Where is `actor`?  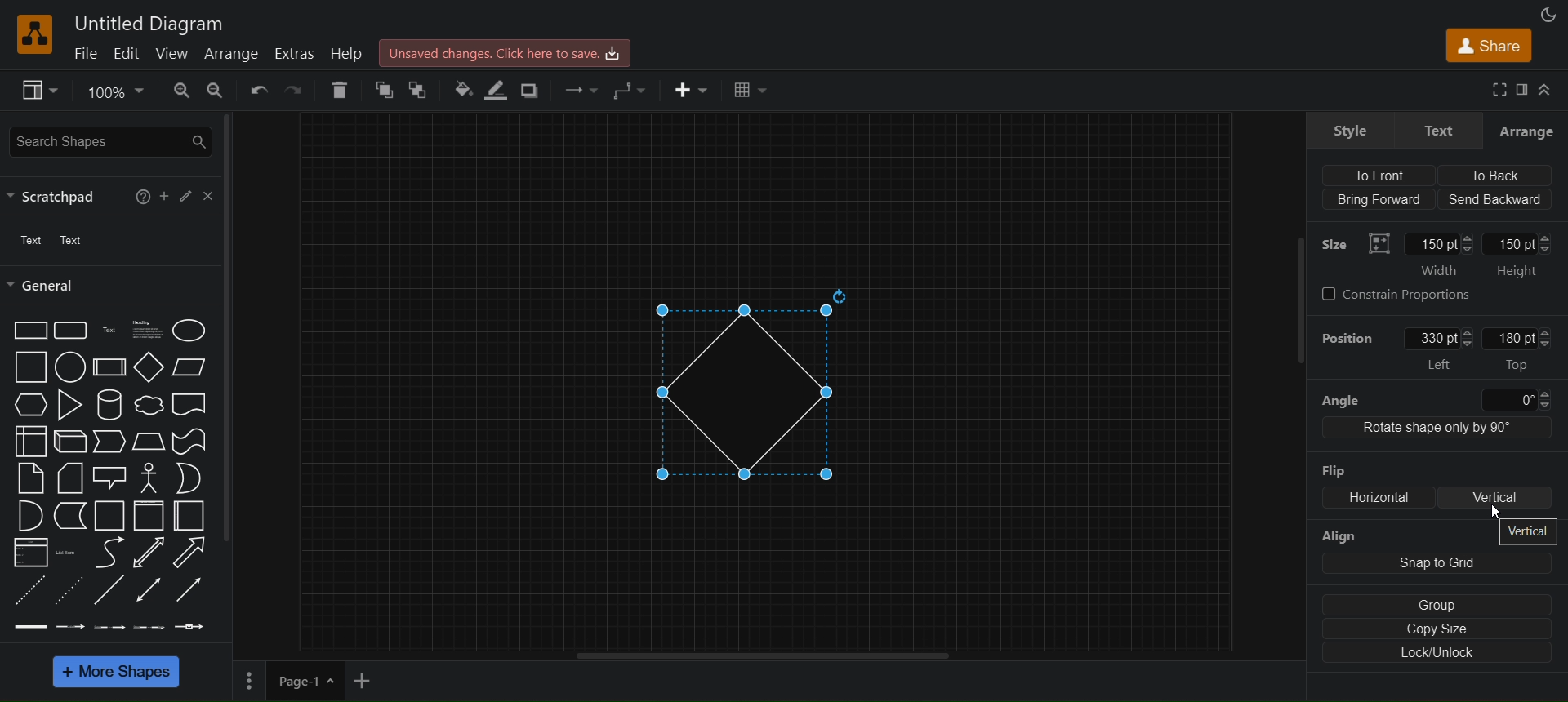
actor is located at coordinates (149, 477).